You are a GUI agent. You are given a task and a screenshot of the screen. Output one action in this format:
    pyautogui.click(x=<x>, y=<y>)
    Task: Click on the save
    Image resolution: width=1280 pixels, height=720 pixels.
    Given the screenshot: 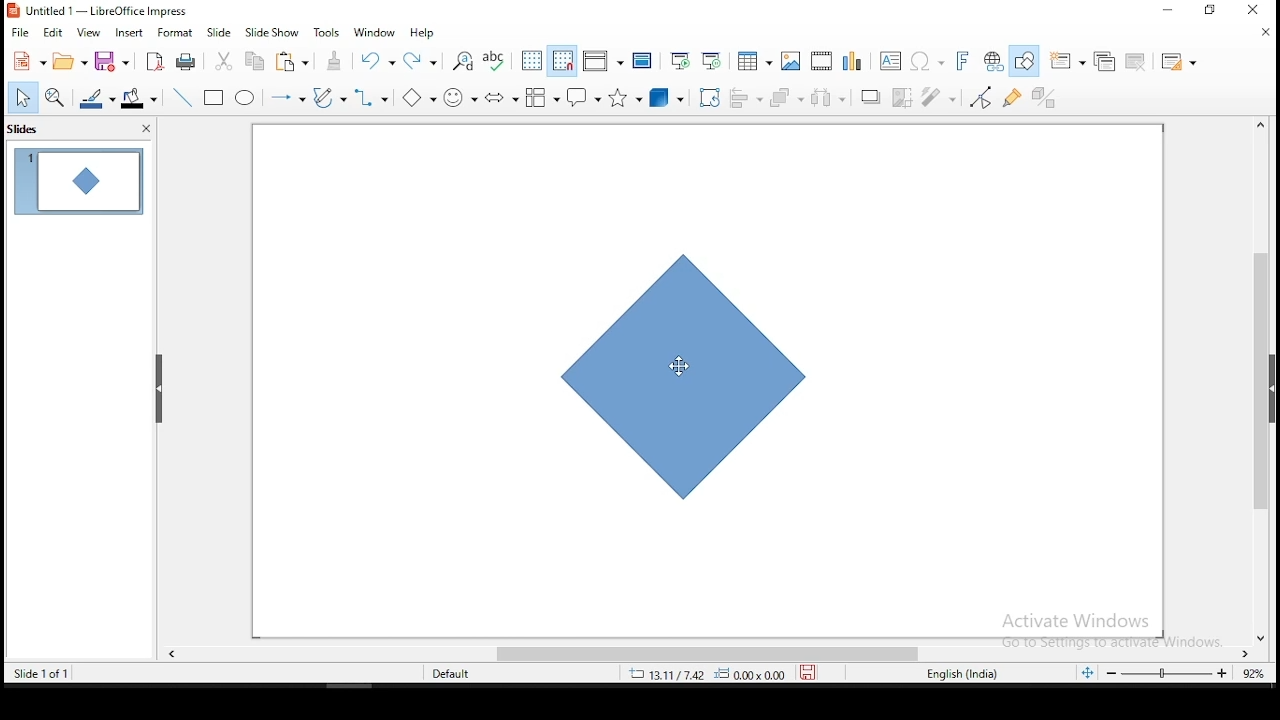 What is the action you would take?
    pyautogui.click(x=807, y=671)
    